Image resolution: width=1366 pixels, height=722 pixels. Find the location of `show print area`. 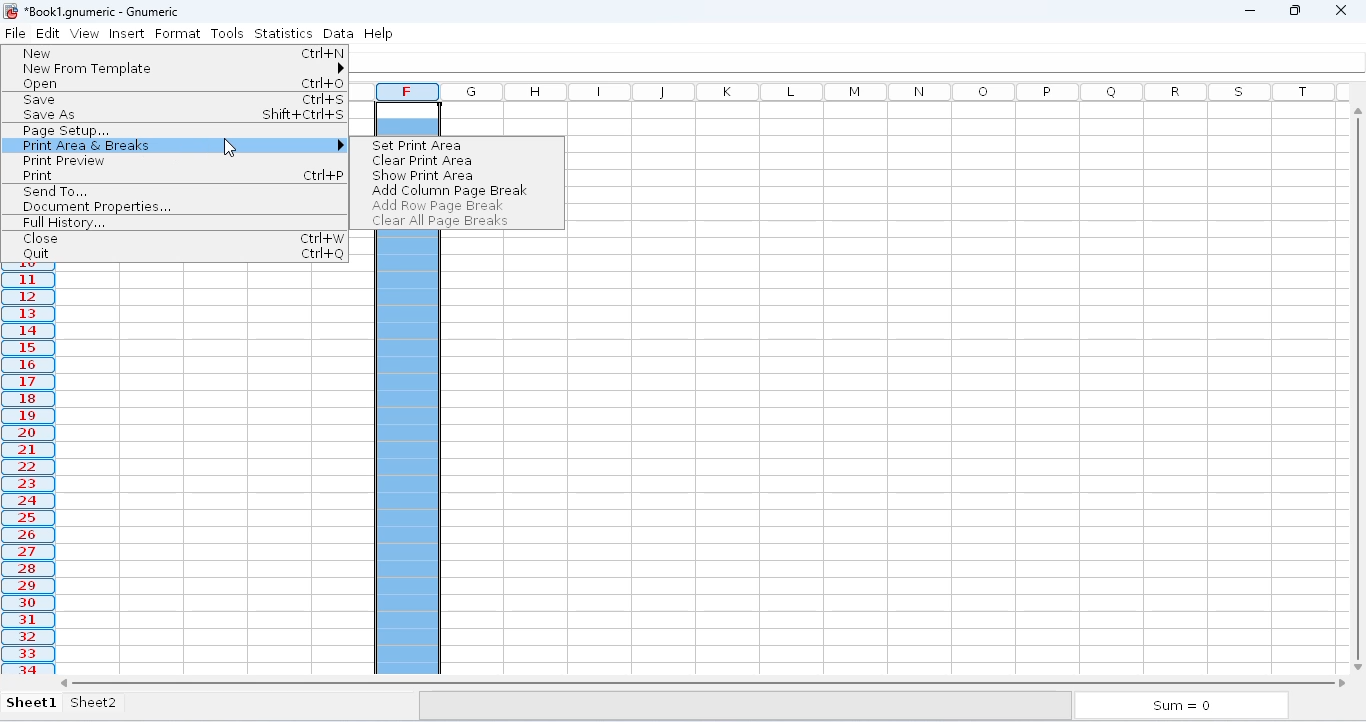

show print area is located at coordinates (423, 175).